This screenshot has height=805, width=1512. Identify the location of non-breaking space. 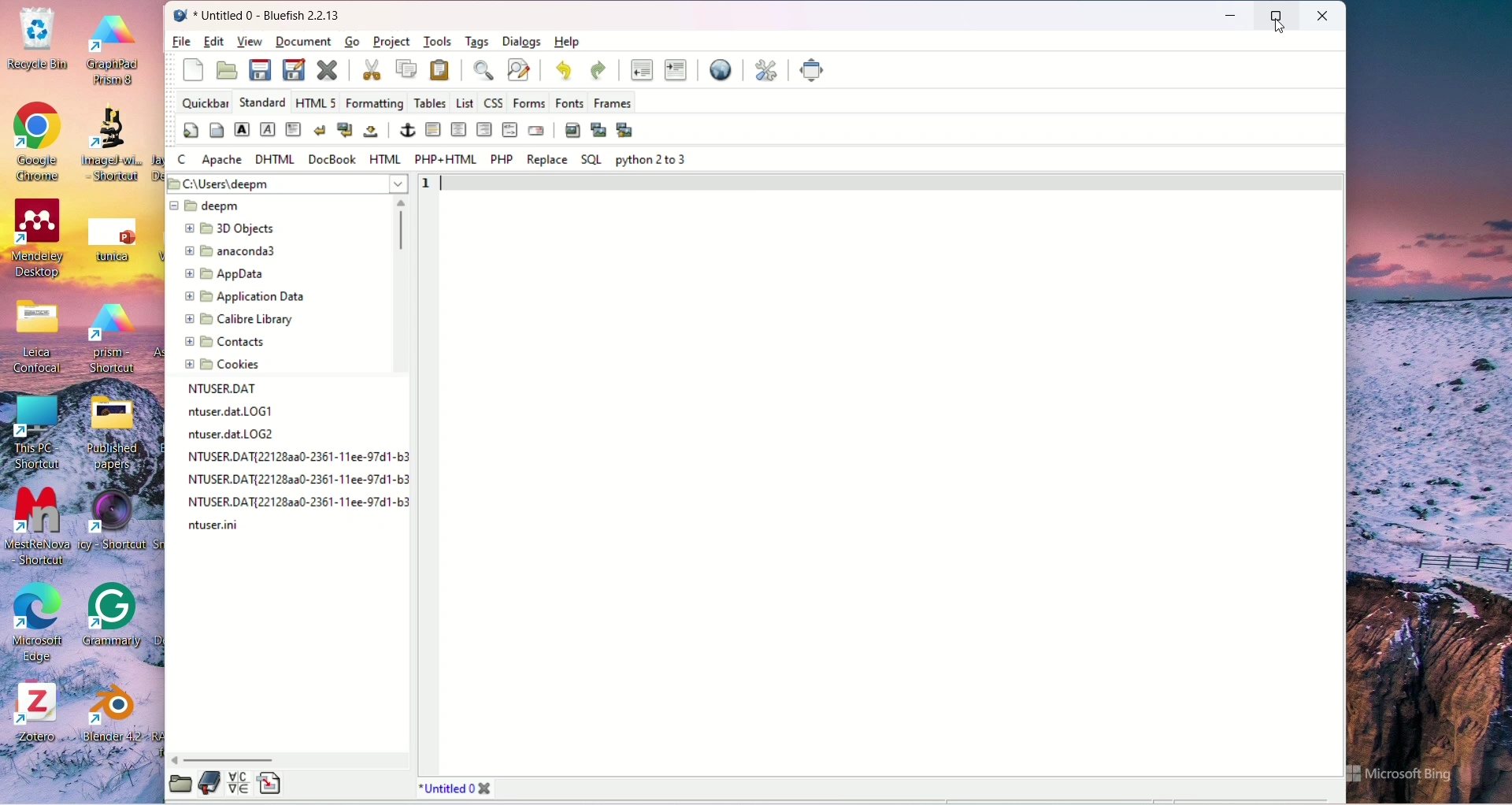
(372, 131).